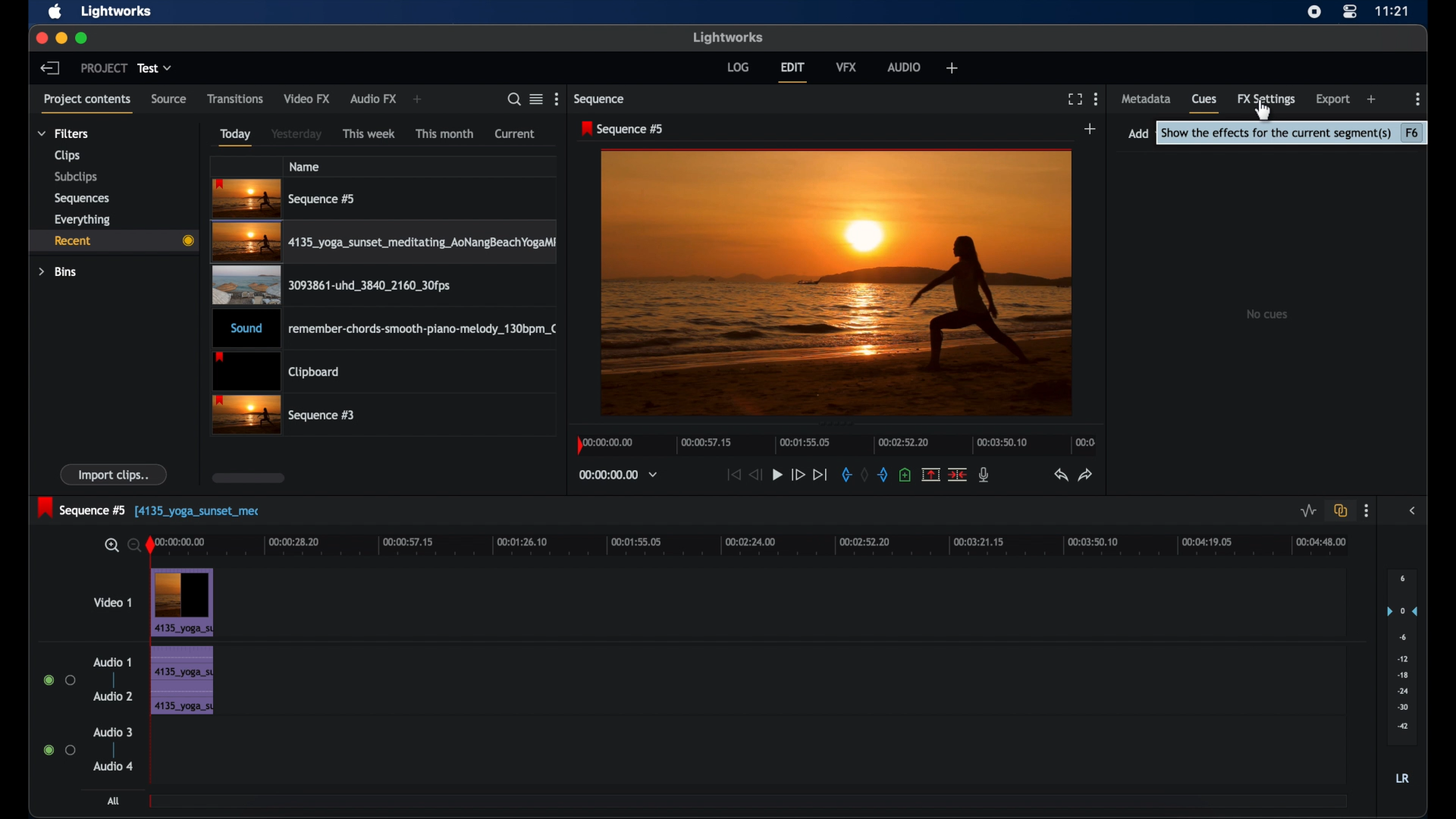  What do you see at coordinates (386, 244) in the screenshot?
I see `video clip` at bounding box center [386, 244].